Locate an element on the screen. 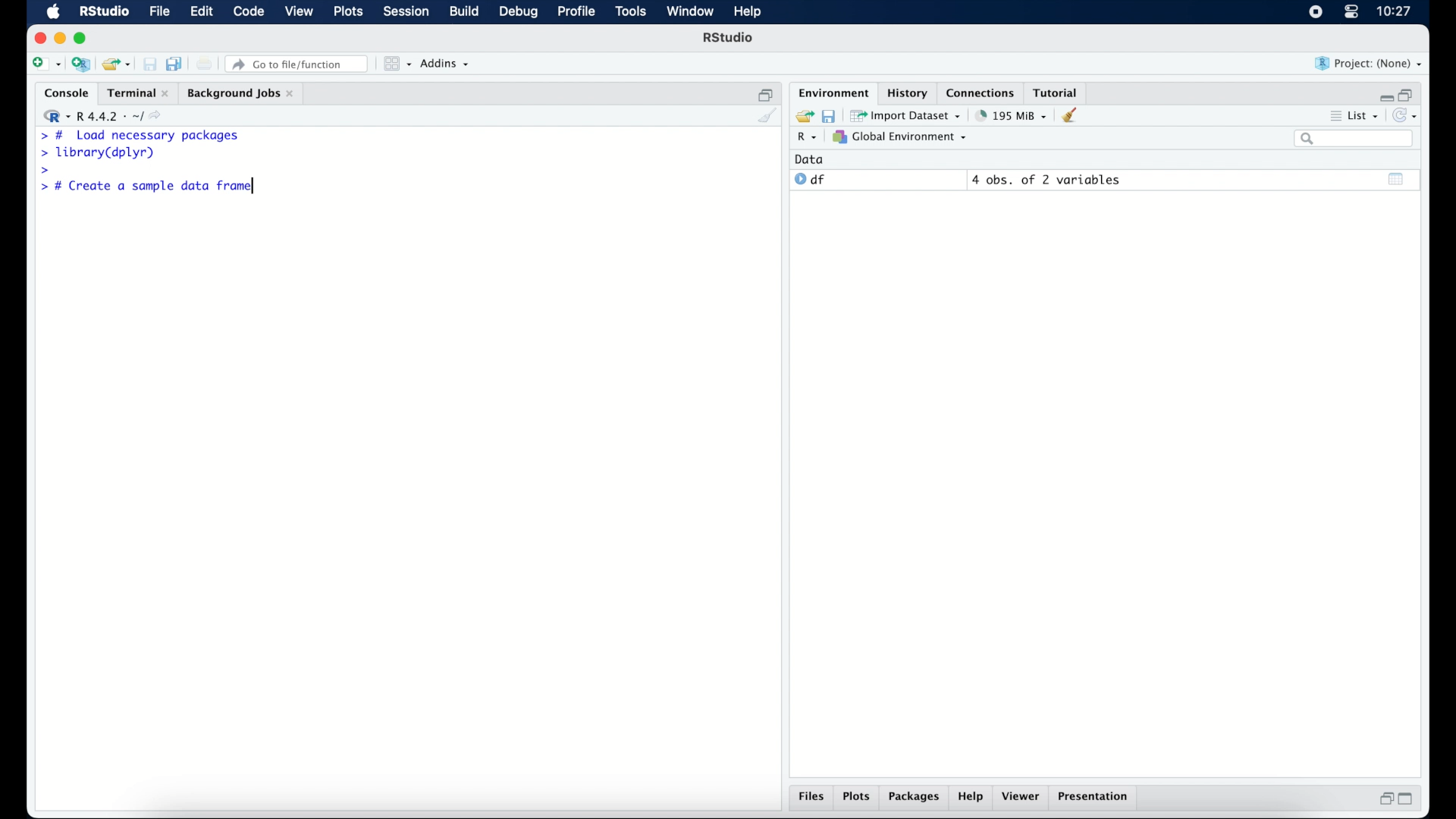 This screenshot has width=1456, height=819. df is located at coordinates (810, 180).